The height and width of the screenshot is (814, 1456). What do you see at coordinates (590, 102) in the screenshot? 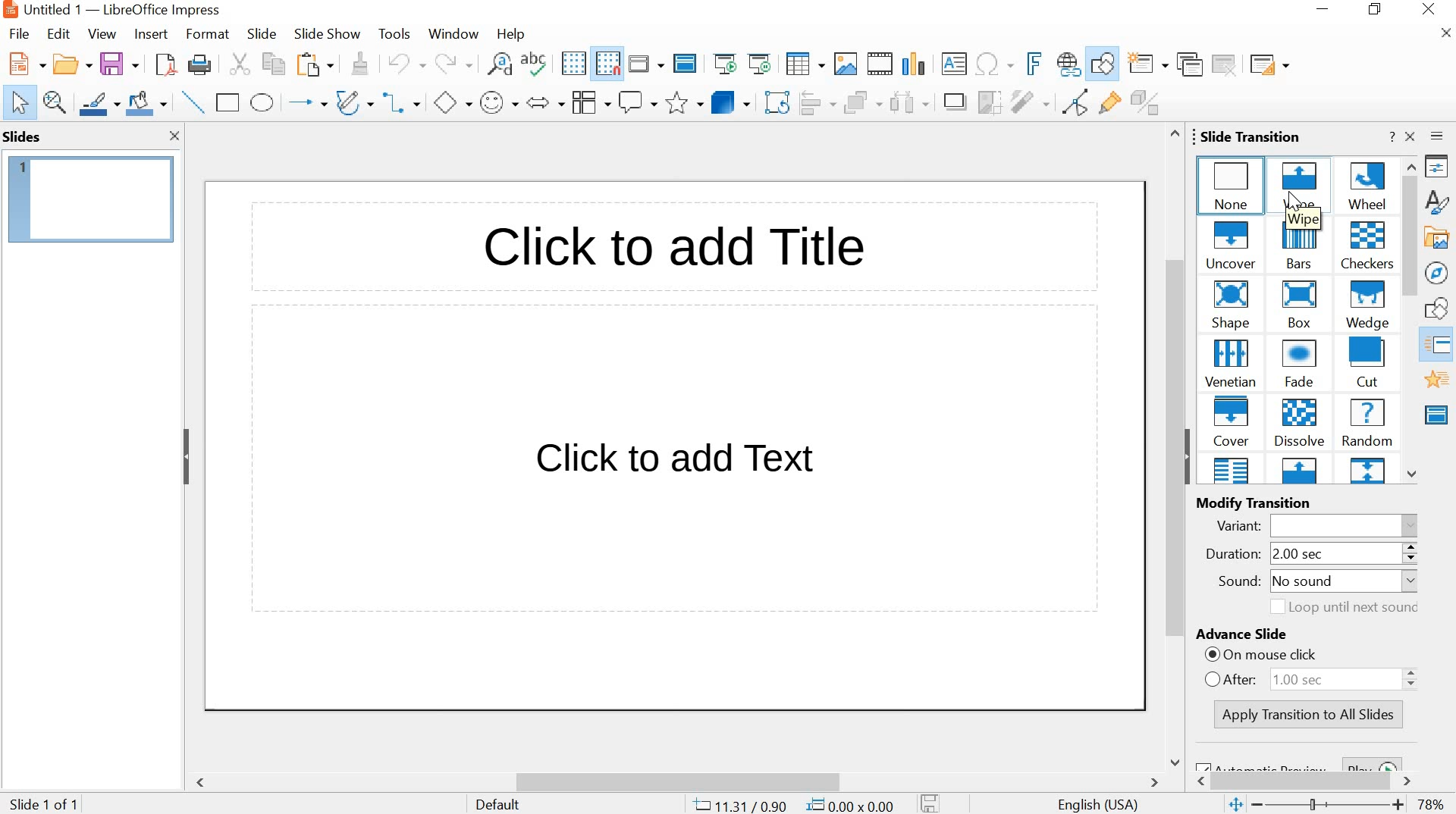
I see `Flowchart` at bounding box center [590, 102].